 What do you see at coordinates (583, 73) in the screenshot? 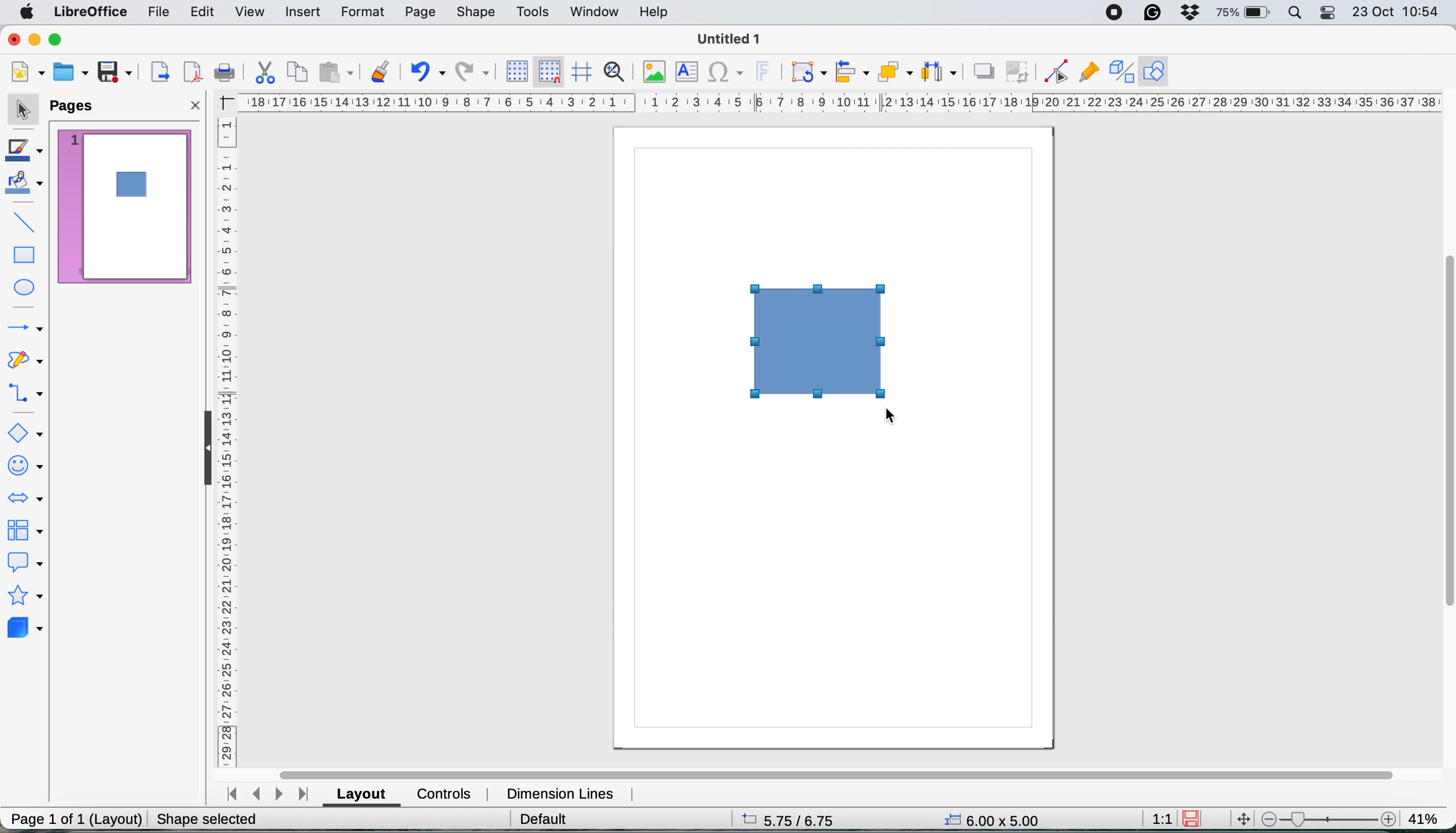
I see `helplines when moving` at bounding box center [583, 73].